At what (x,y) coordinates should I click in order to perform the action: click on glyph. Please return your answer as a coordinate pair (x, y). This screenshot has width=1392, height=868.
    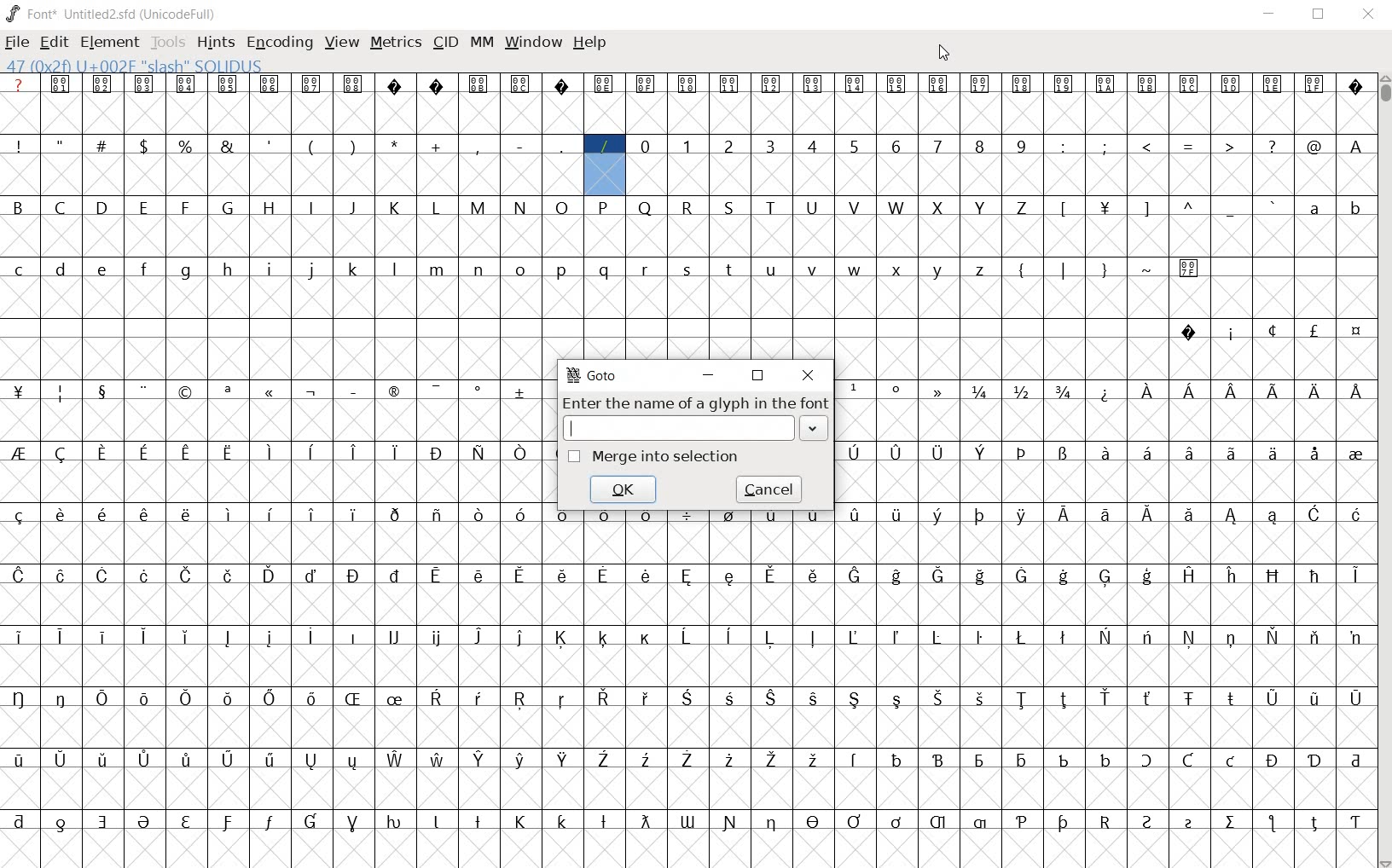
    Looking at the image, I should click on (1314, 761).